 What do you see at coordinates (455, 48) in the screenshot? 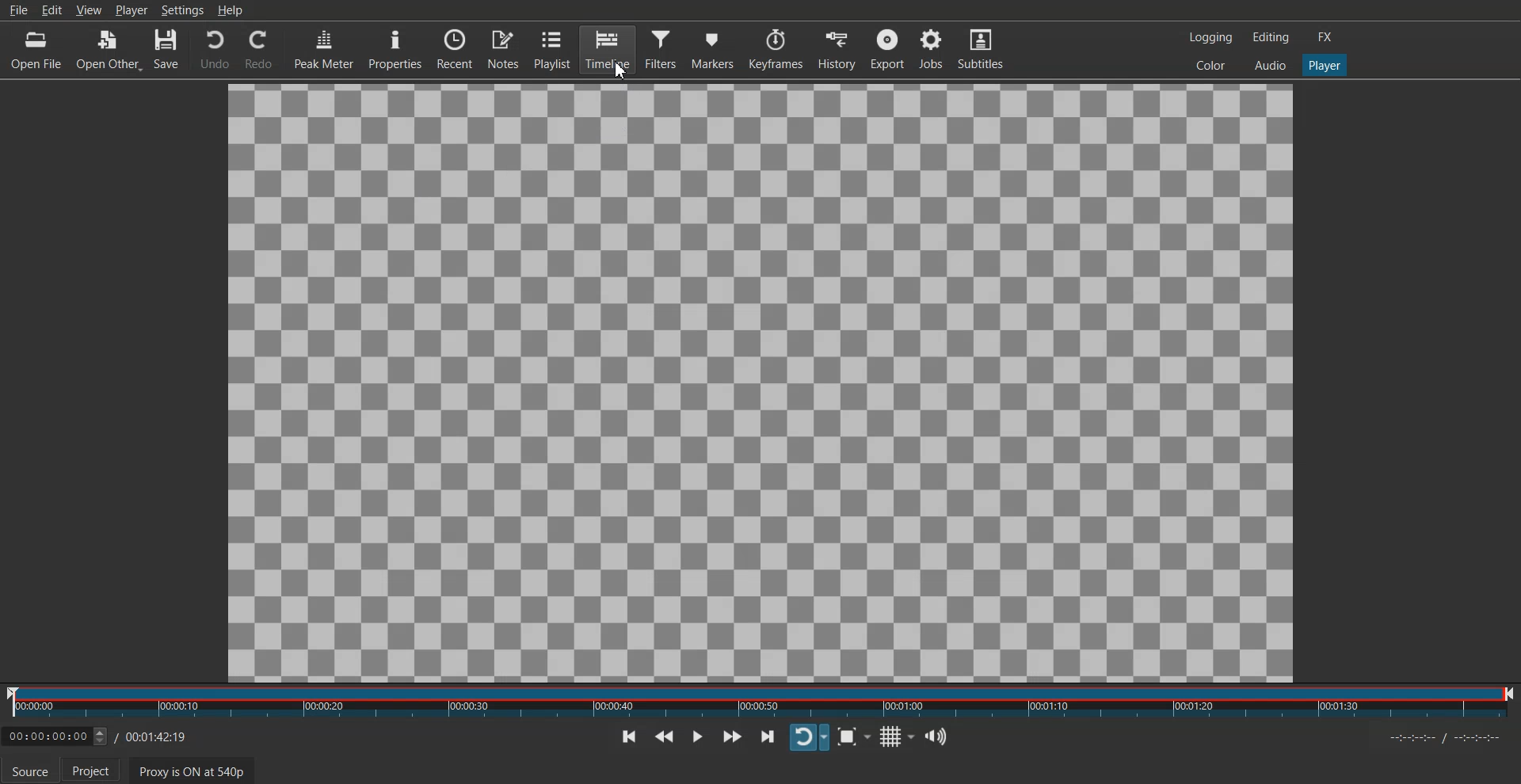
I see `Recent` at bounding box center [455, 48].